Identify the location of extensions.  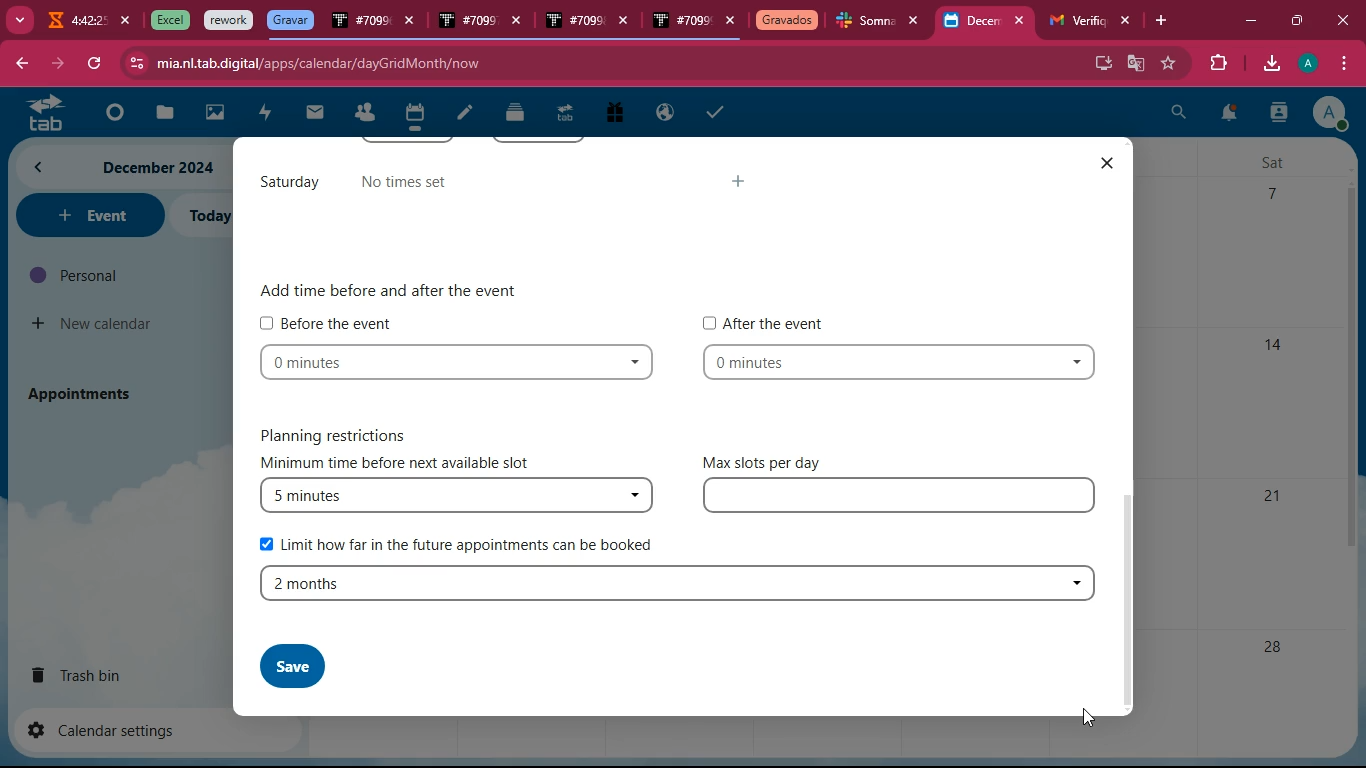
(1215, 64).